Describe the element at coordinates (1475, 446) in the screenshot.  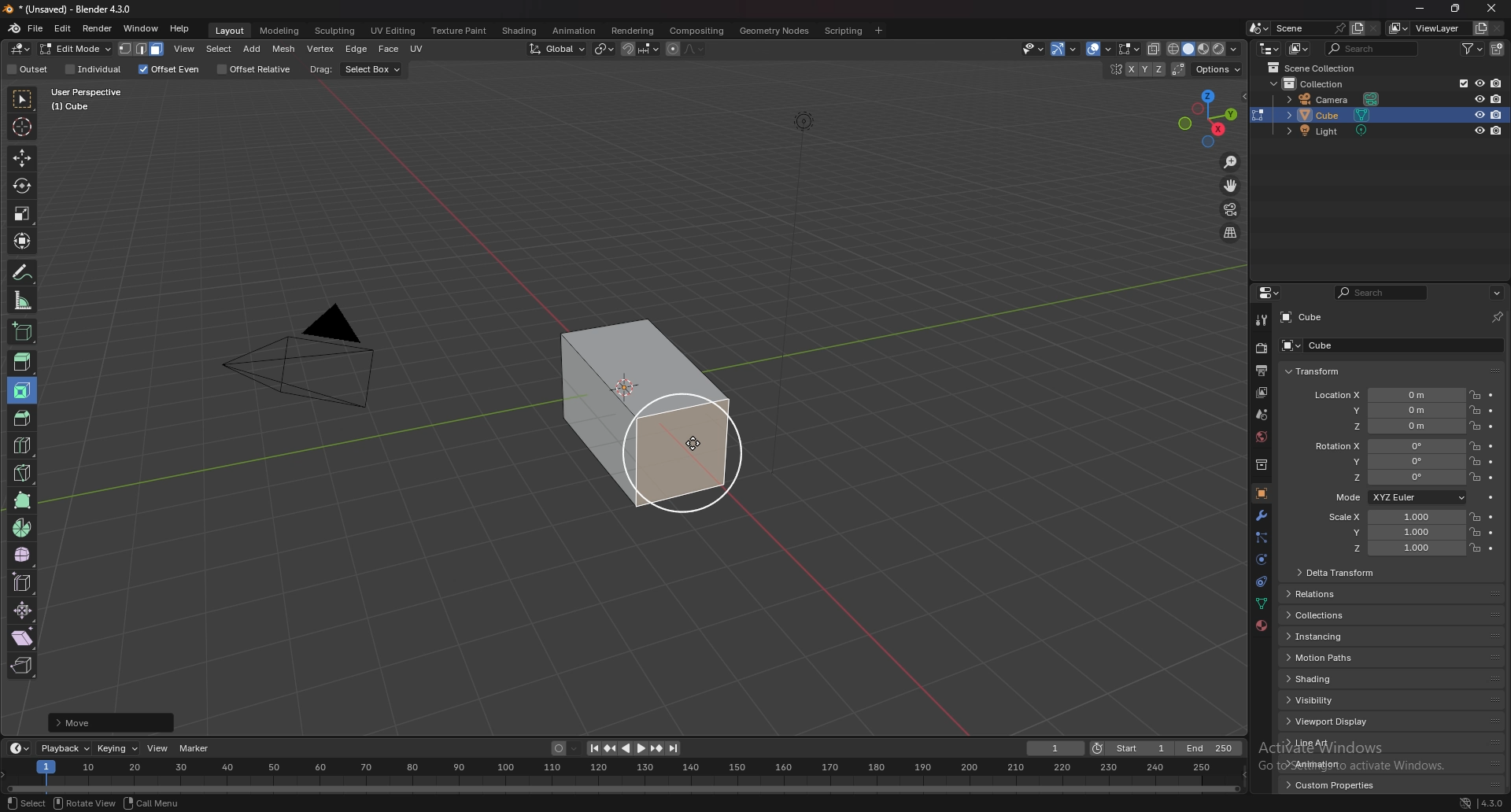
I see `lock` at that location.